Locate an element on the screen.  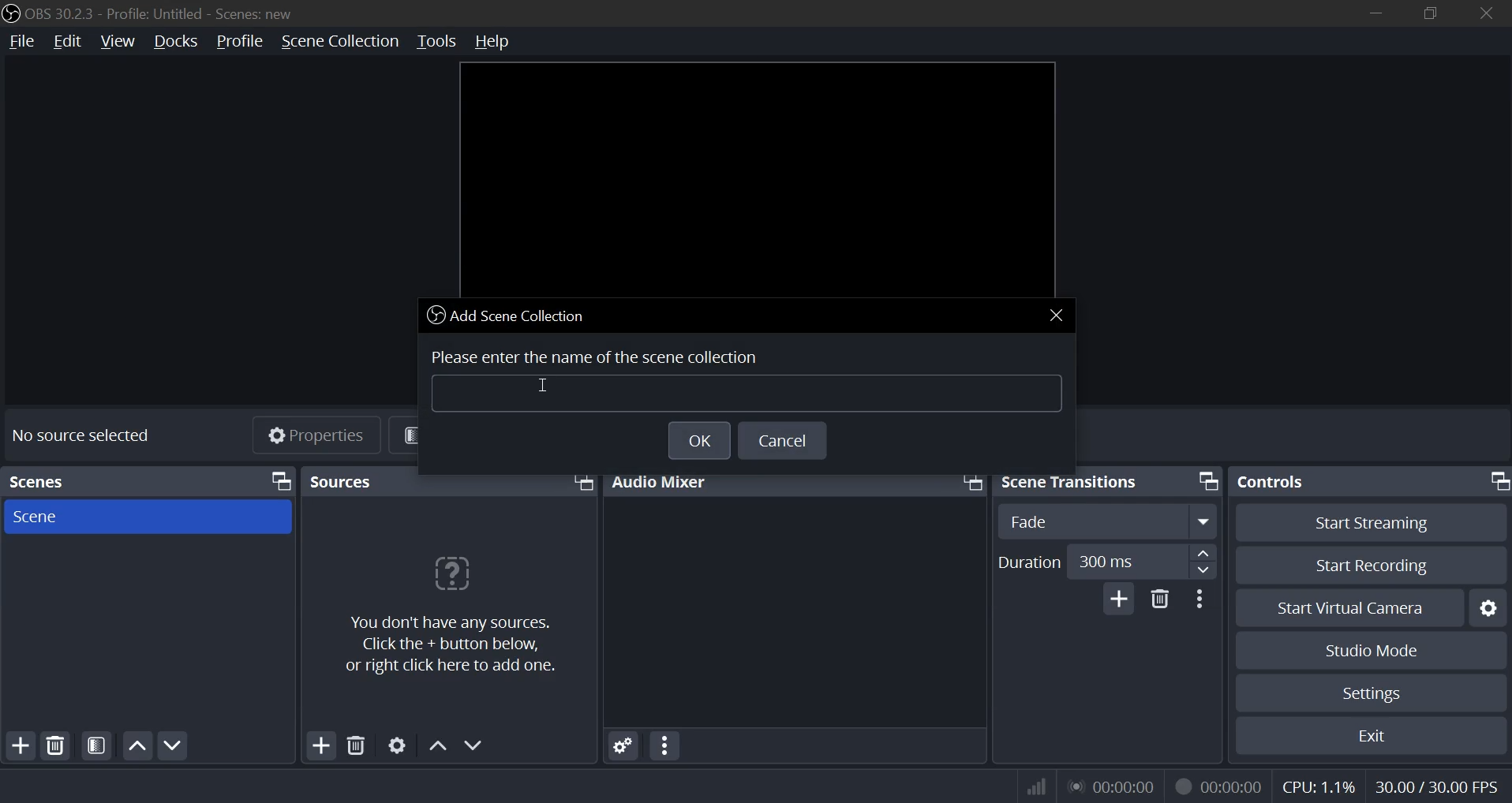
restore down is located at coordinates (1435, 11).